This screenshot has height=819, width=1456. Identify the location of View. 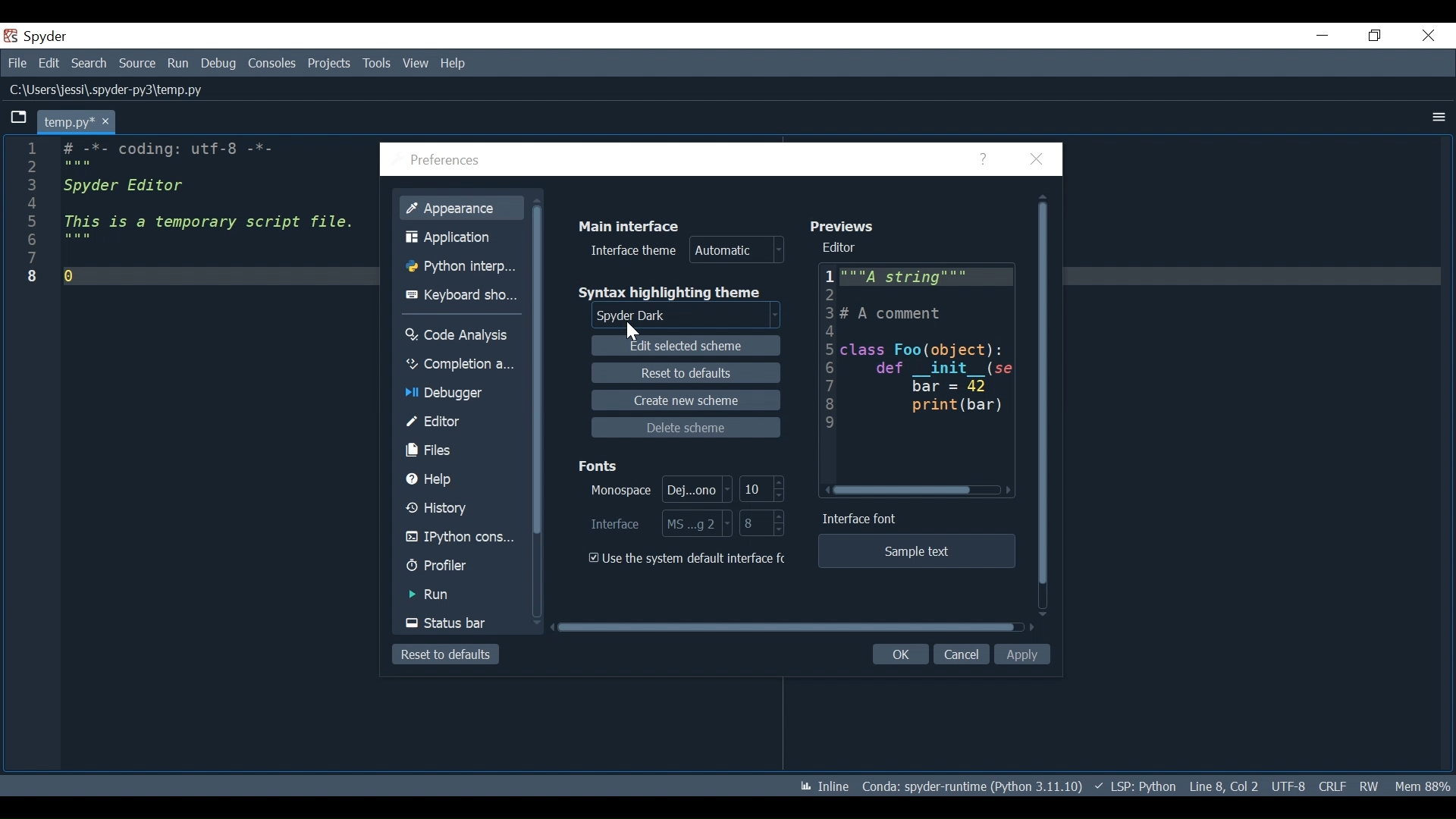
(417, 64).